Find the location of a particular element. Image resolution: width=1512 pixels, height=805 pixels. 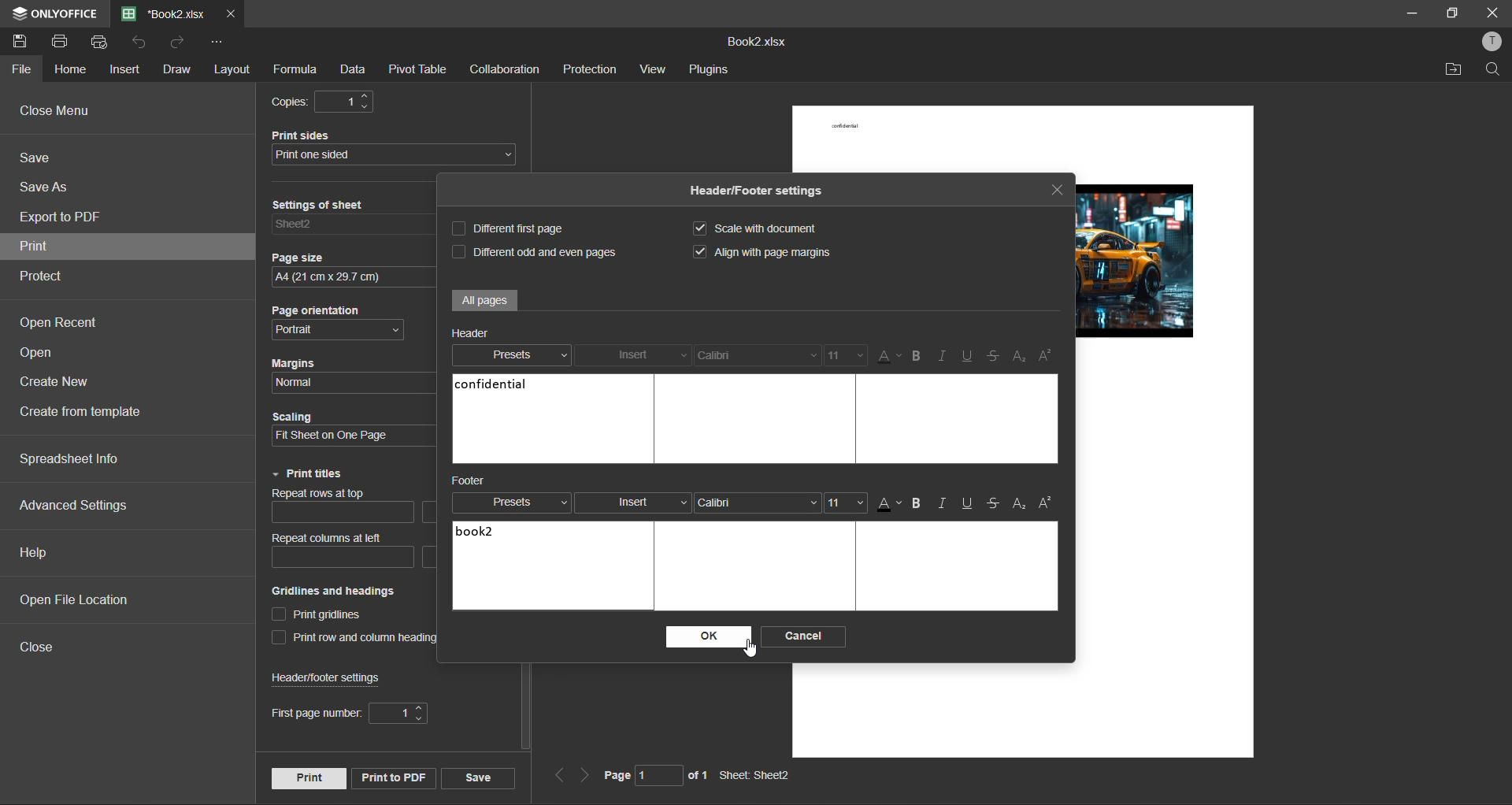

scale with document is located at coordinates (750, 230).